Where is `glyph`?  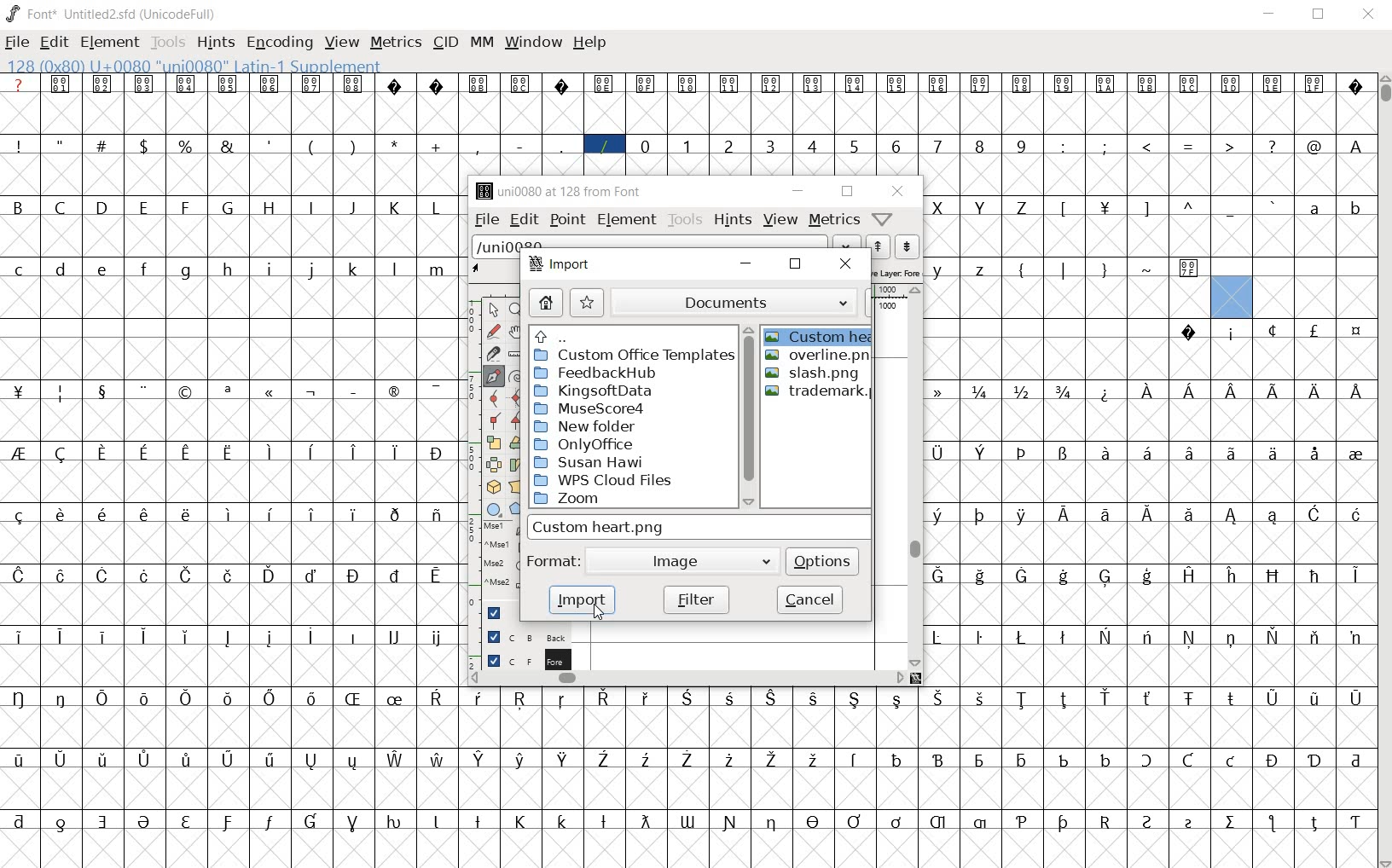 glyph is located at coordinates (1189, 824).